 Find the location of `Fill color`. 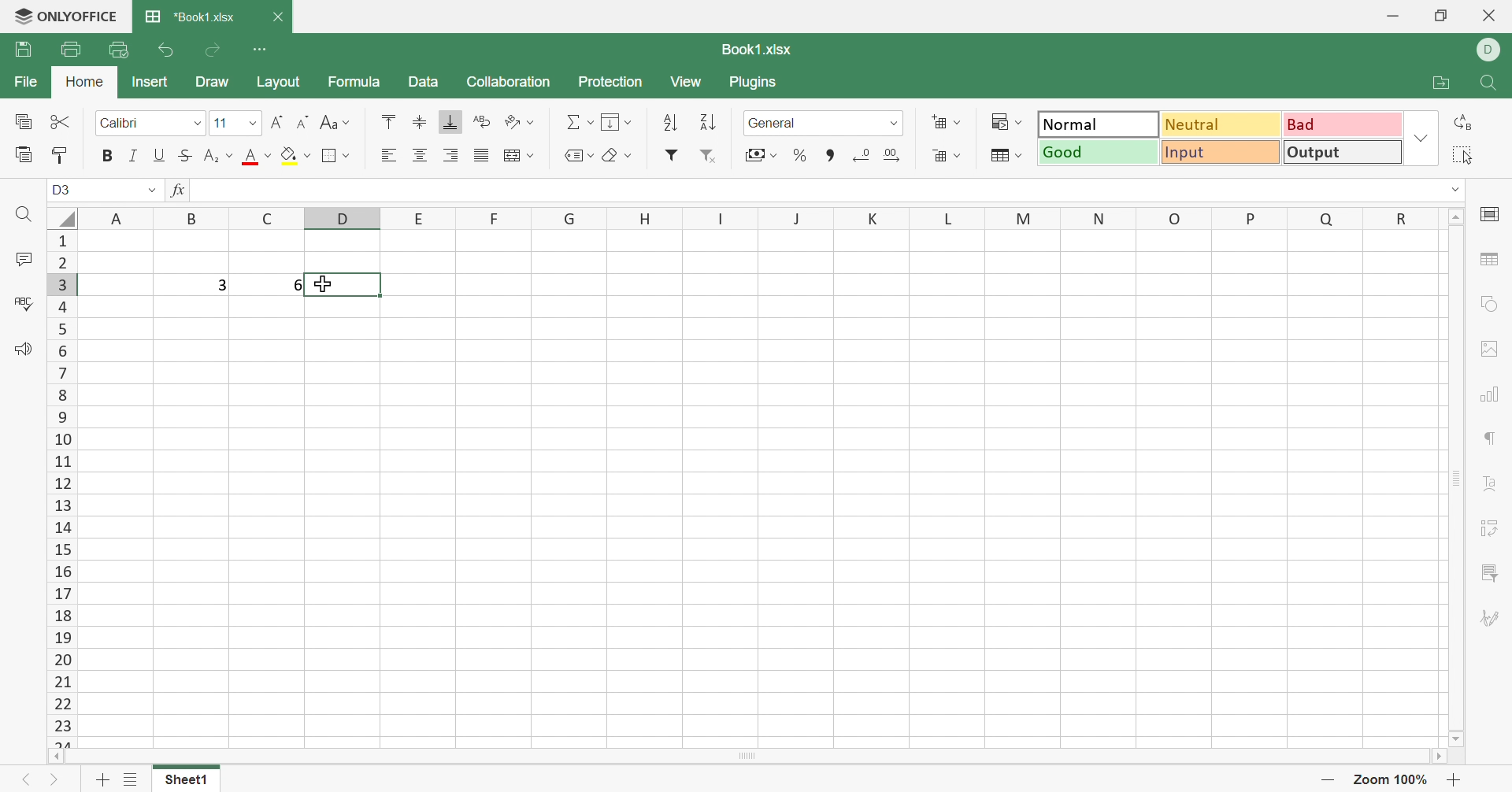

Fill color is located at coordinates (295, 156).